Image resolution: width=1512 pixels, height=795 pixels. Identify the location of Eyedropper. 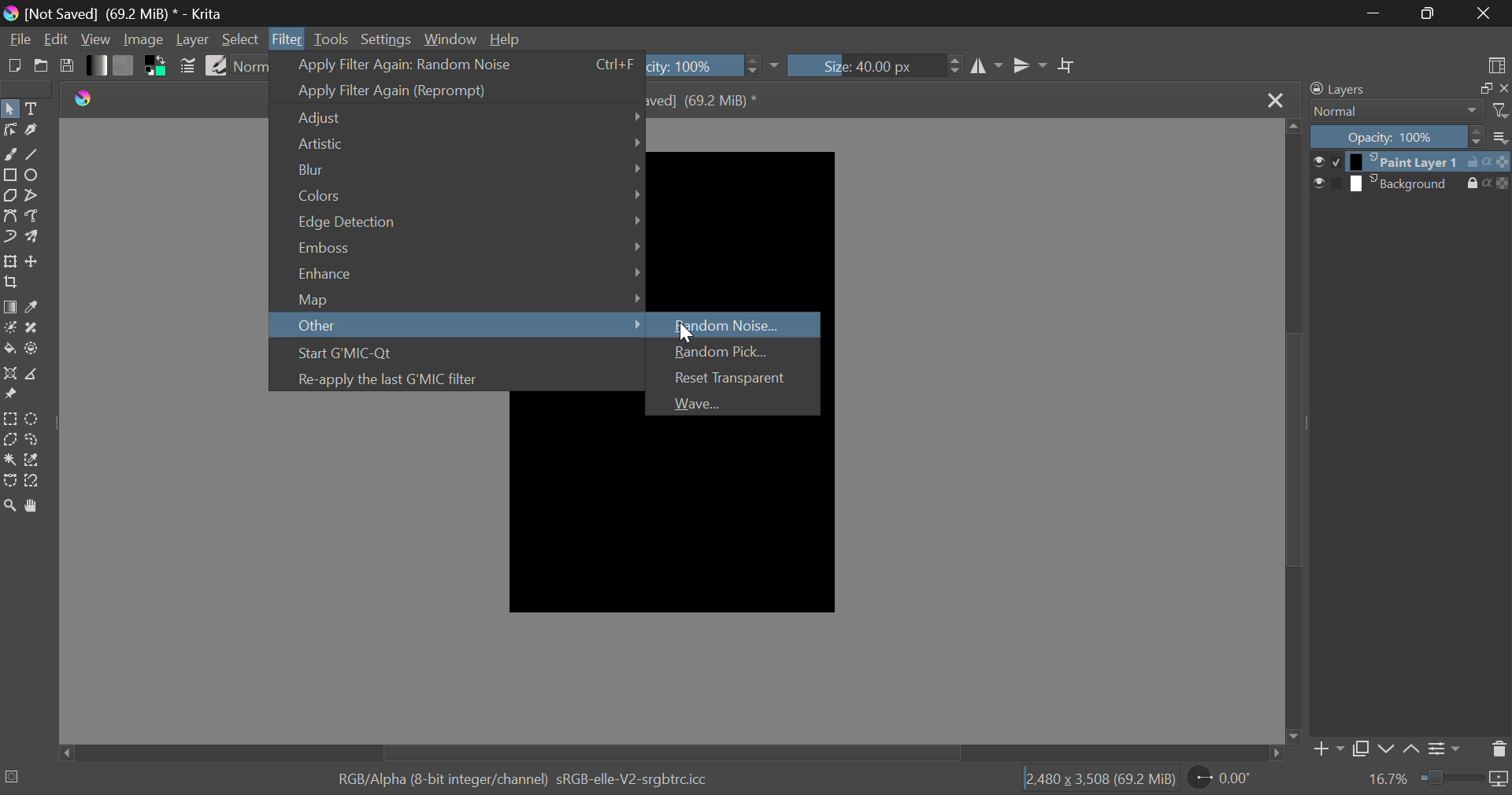
(33, 307).